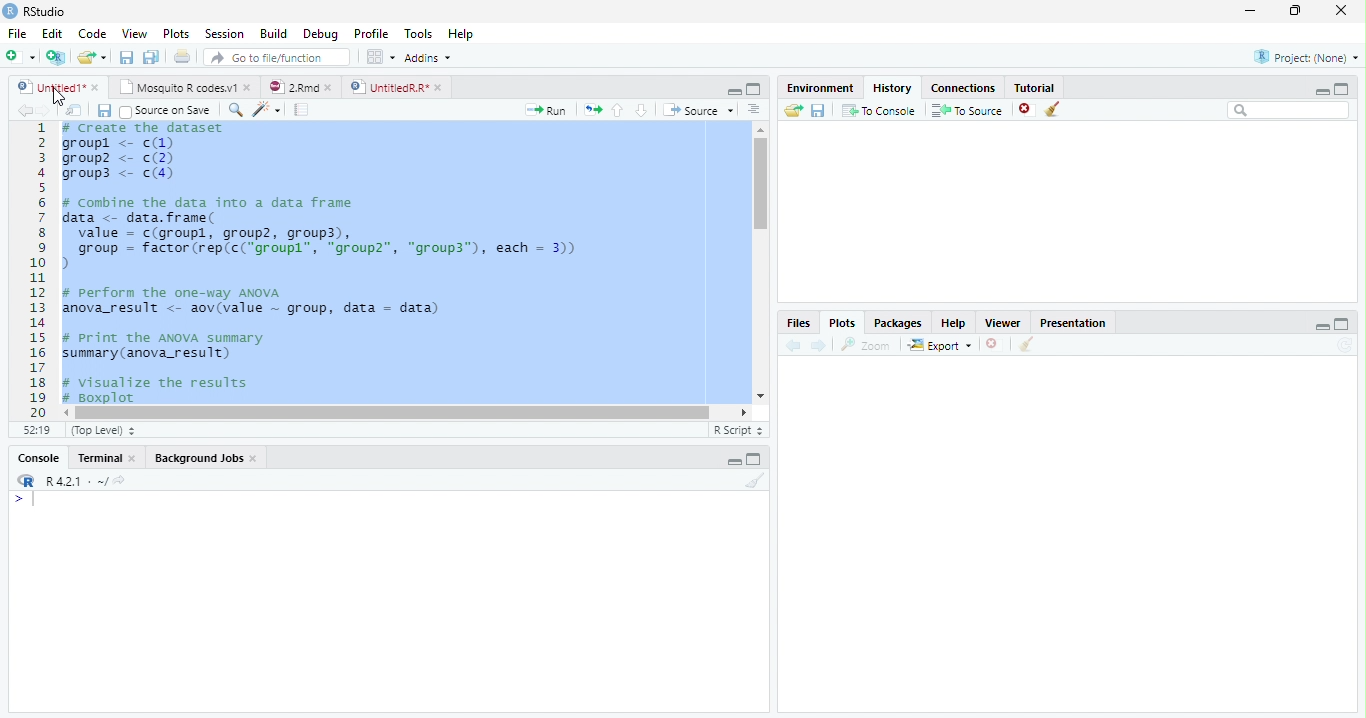  Describe the element at coordinates (841, 323) in the screenshot. I see `Plots` at that location.